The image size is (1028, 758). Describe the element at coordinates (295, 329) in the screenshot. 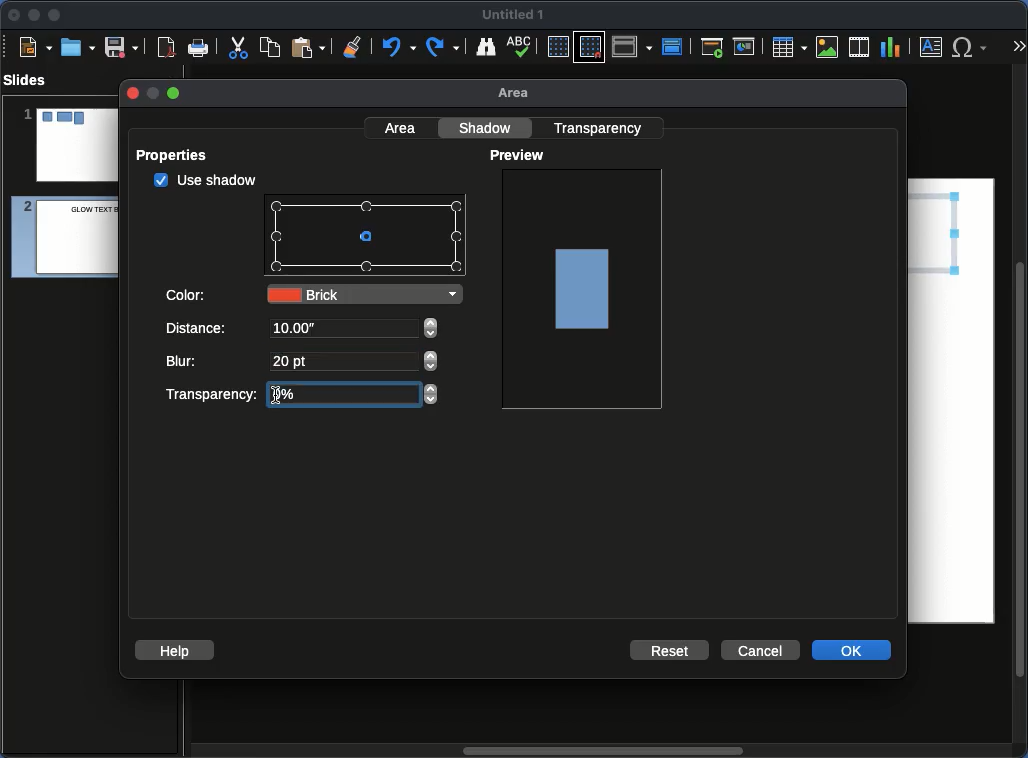

I see `10.00` at that location.